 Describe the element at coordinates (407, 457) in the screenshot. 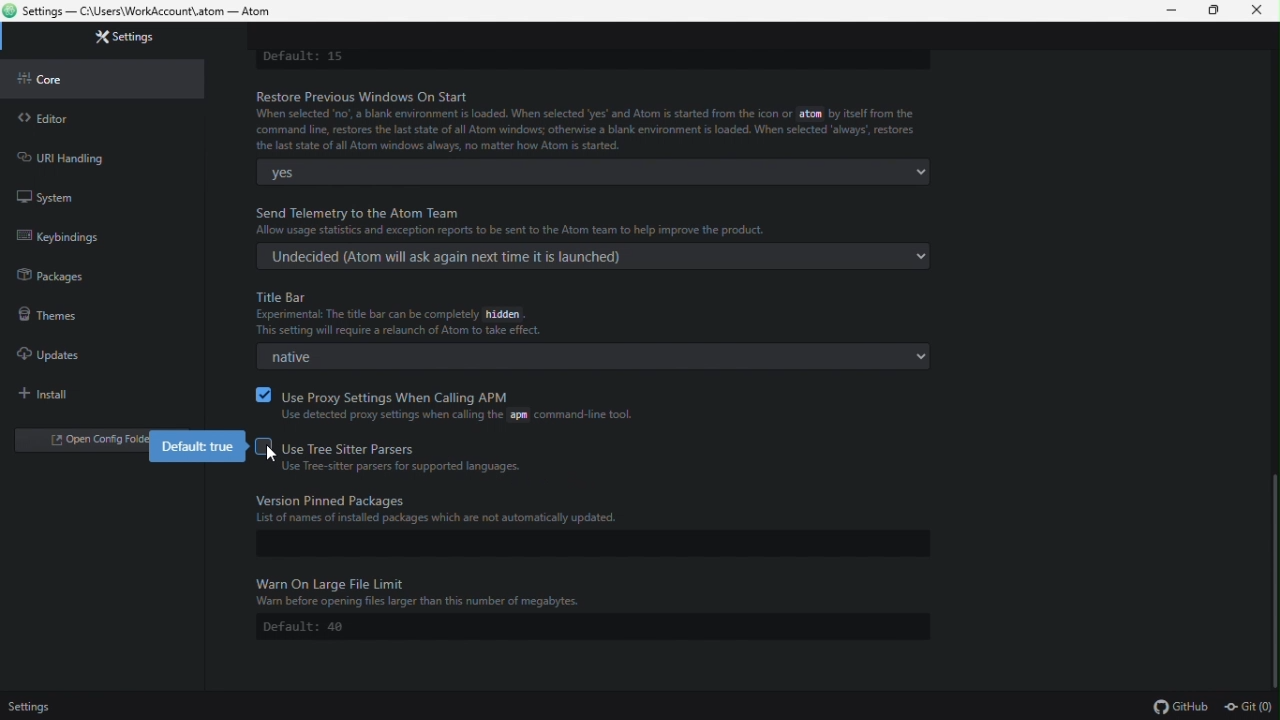

I see `use tree sitter parsers` at that location.